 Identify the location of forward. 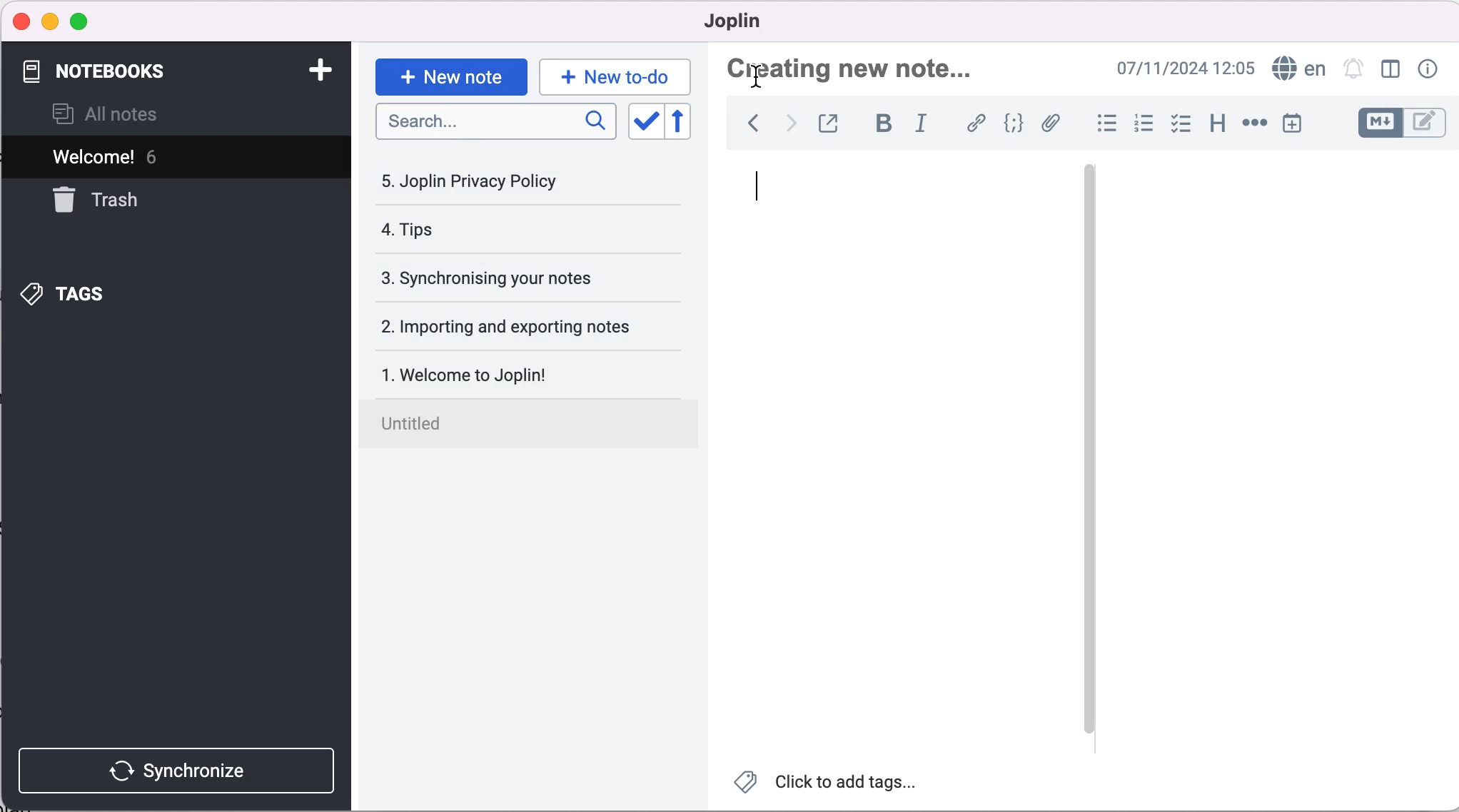
(789, 123).